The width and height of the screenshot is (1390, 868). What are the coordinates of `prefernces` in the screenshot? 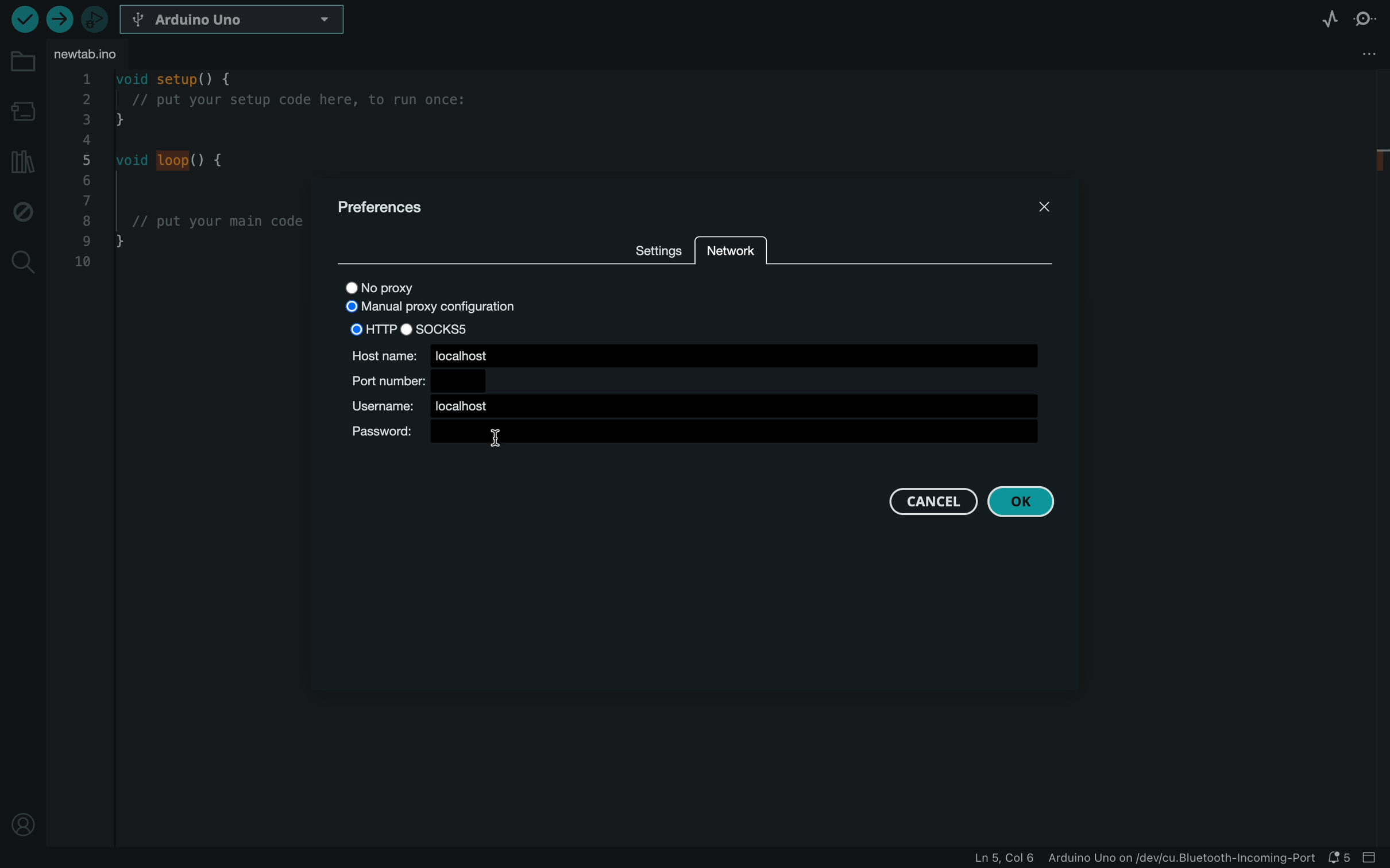 It's located at (401, 205).